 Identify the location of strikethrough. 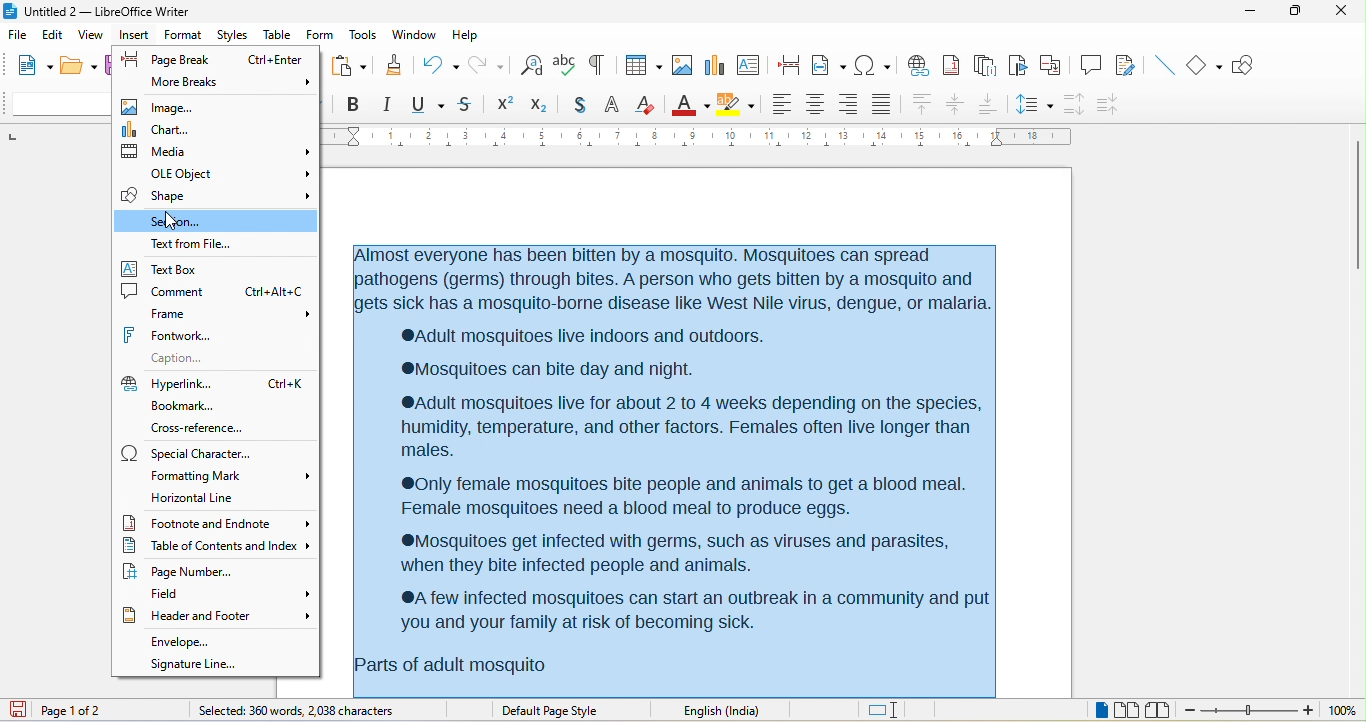
(471, 104).